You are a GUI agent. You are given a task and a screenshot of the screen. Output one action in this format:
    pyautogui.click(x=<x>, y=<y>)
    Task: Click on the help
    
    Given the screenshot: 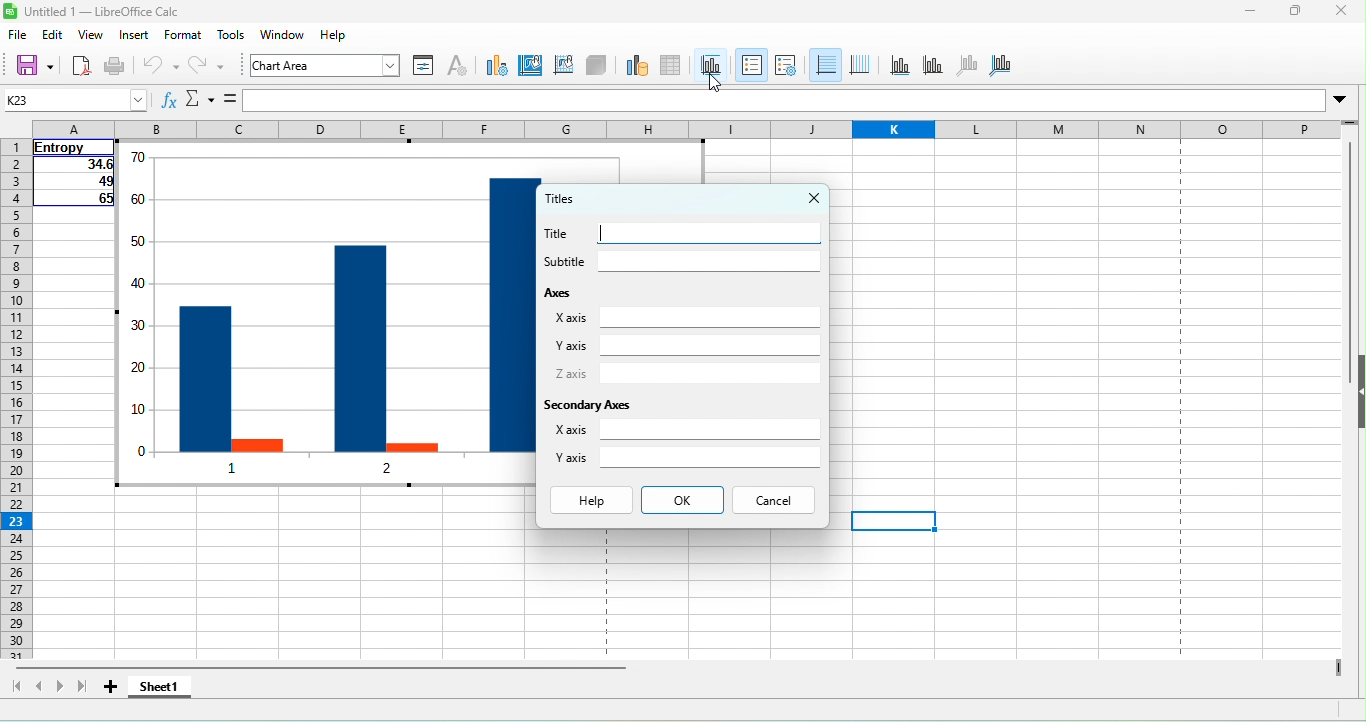 What is the action you would take?
    pyautogui.click(x=589, y=500)
    